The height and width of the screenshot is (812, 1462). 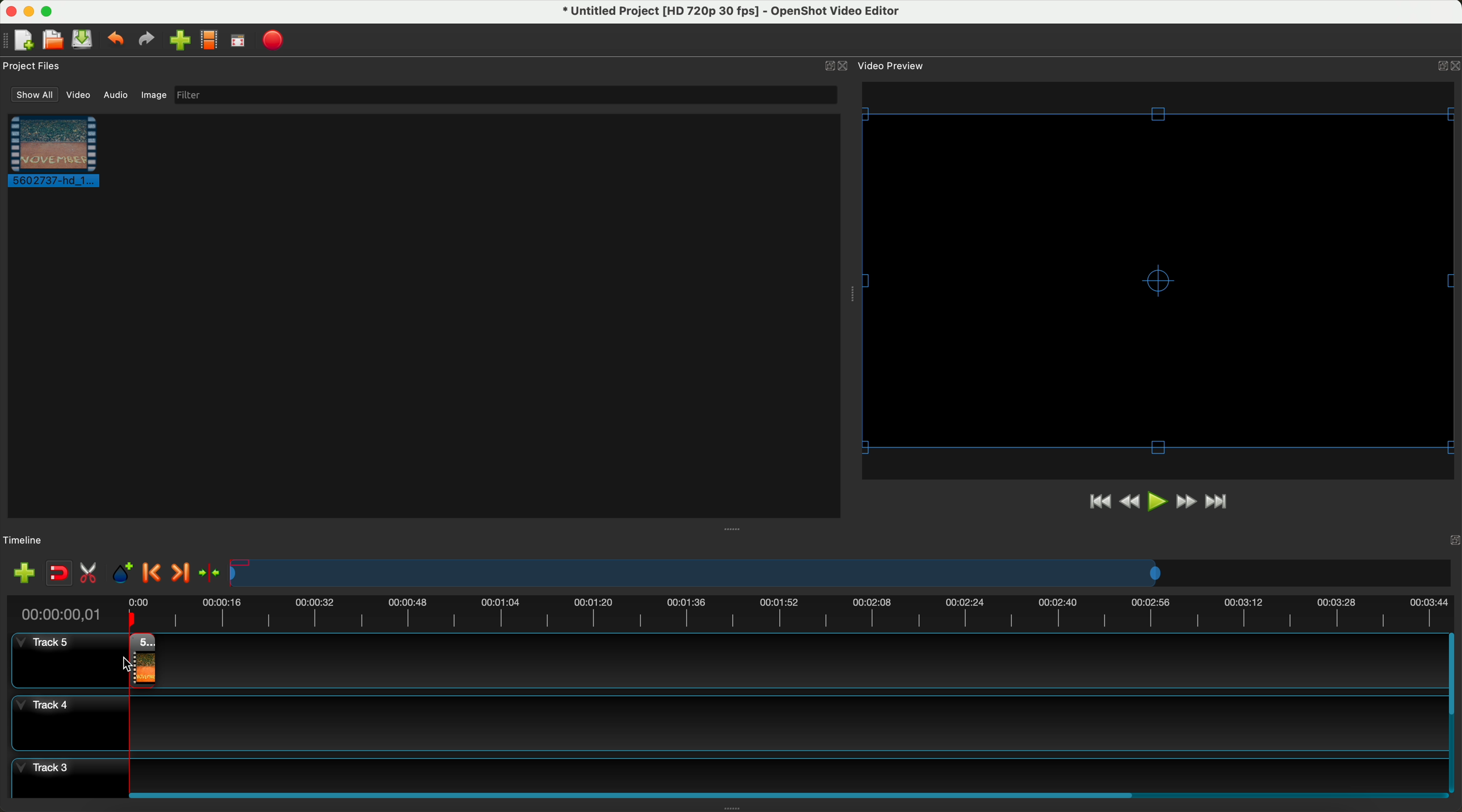 I want to click on rewind, so click(x=1128, y=504).